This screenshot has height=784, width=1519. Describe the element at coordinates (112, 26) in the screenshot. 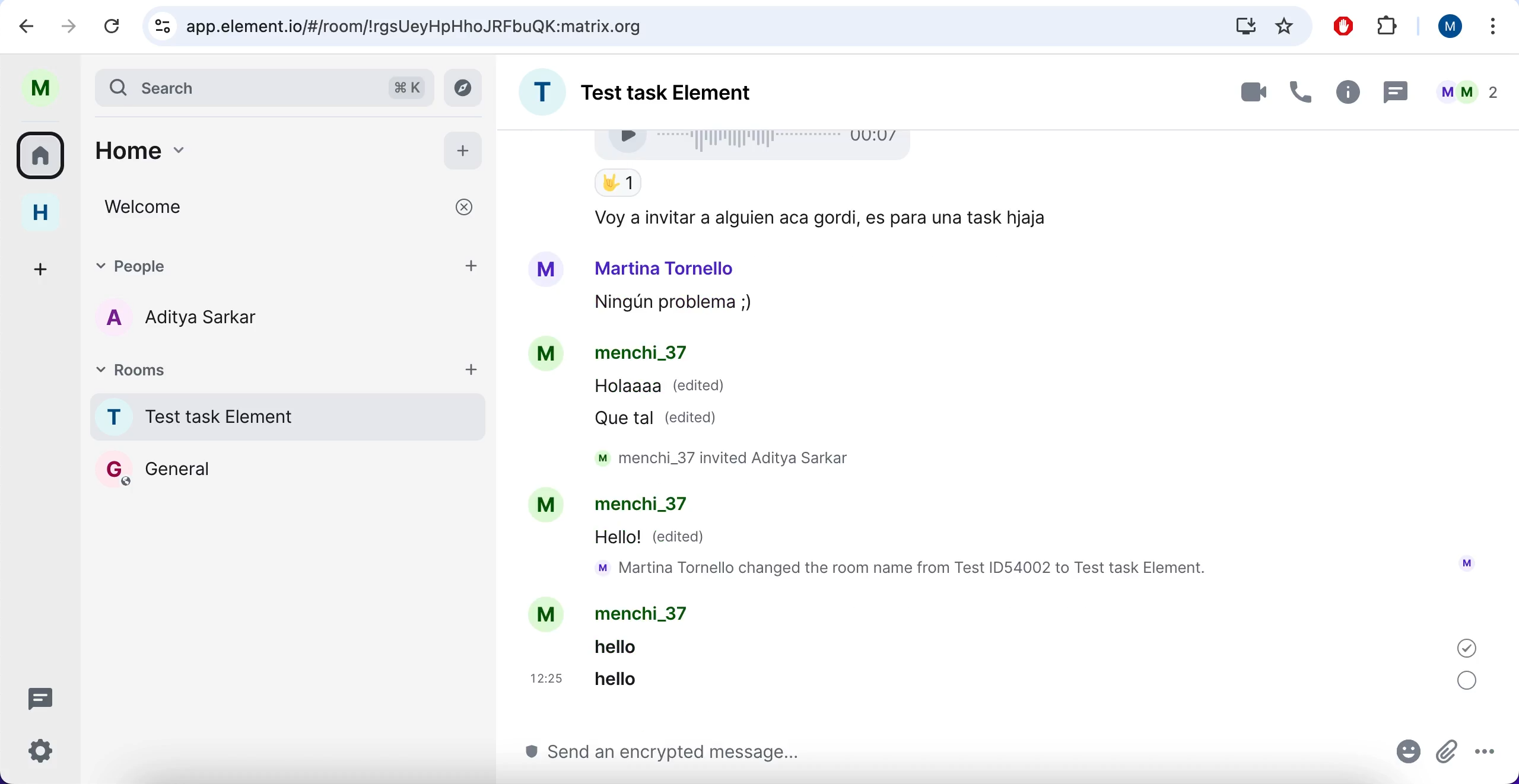

I see `reload current page` at that location.